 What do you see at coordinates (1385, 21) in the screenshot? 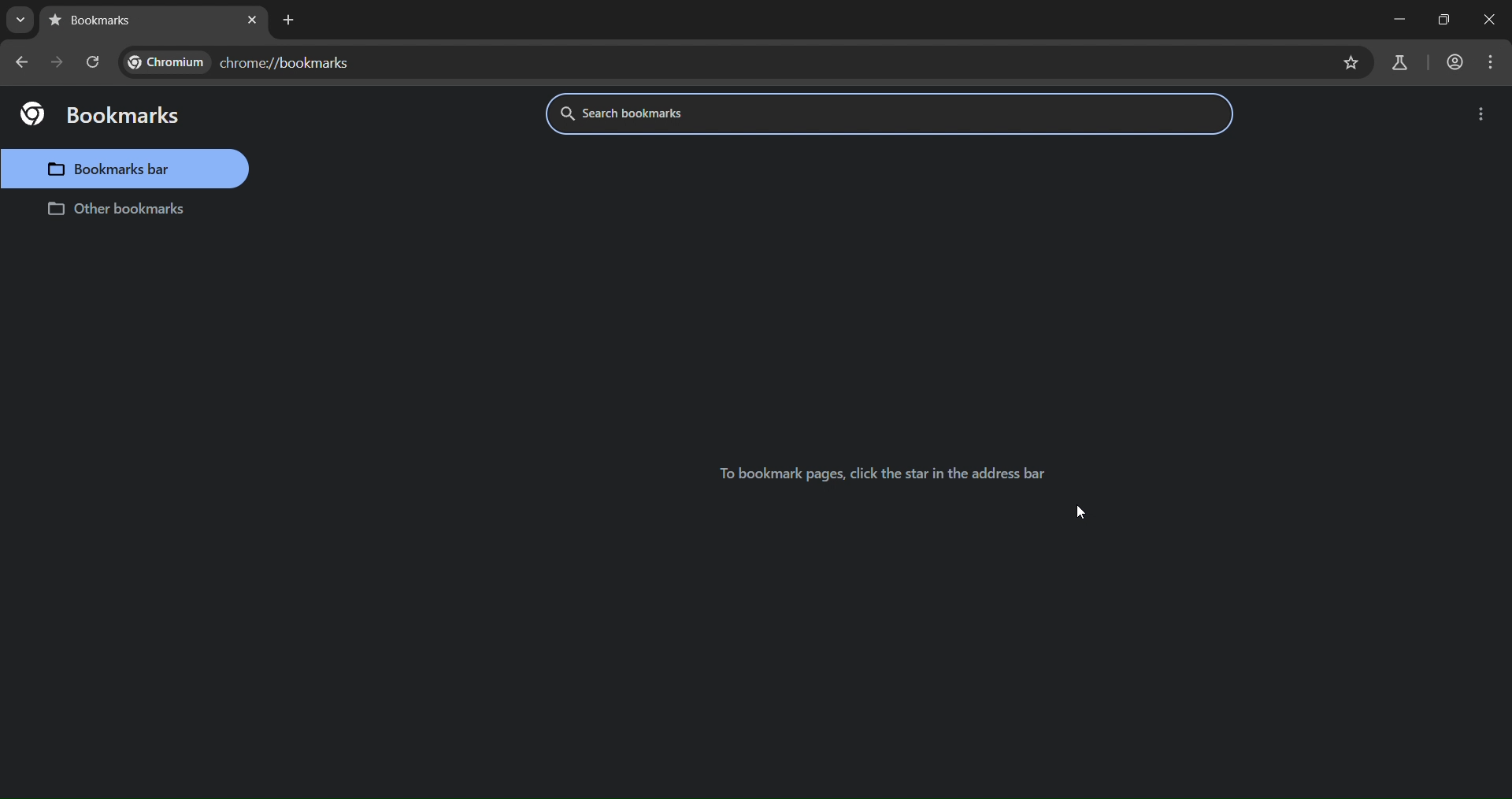
I see `minimize` at bounding box center [1385, 21].